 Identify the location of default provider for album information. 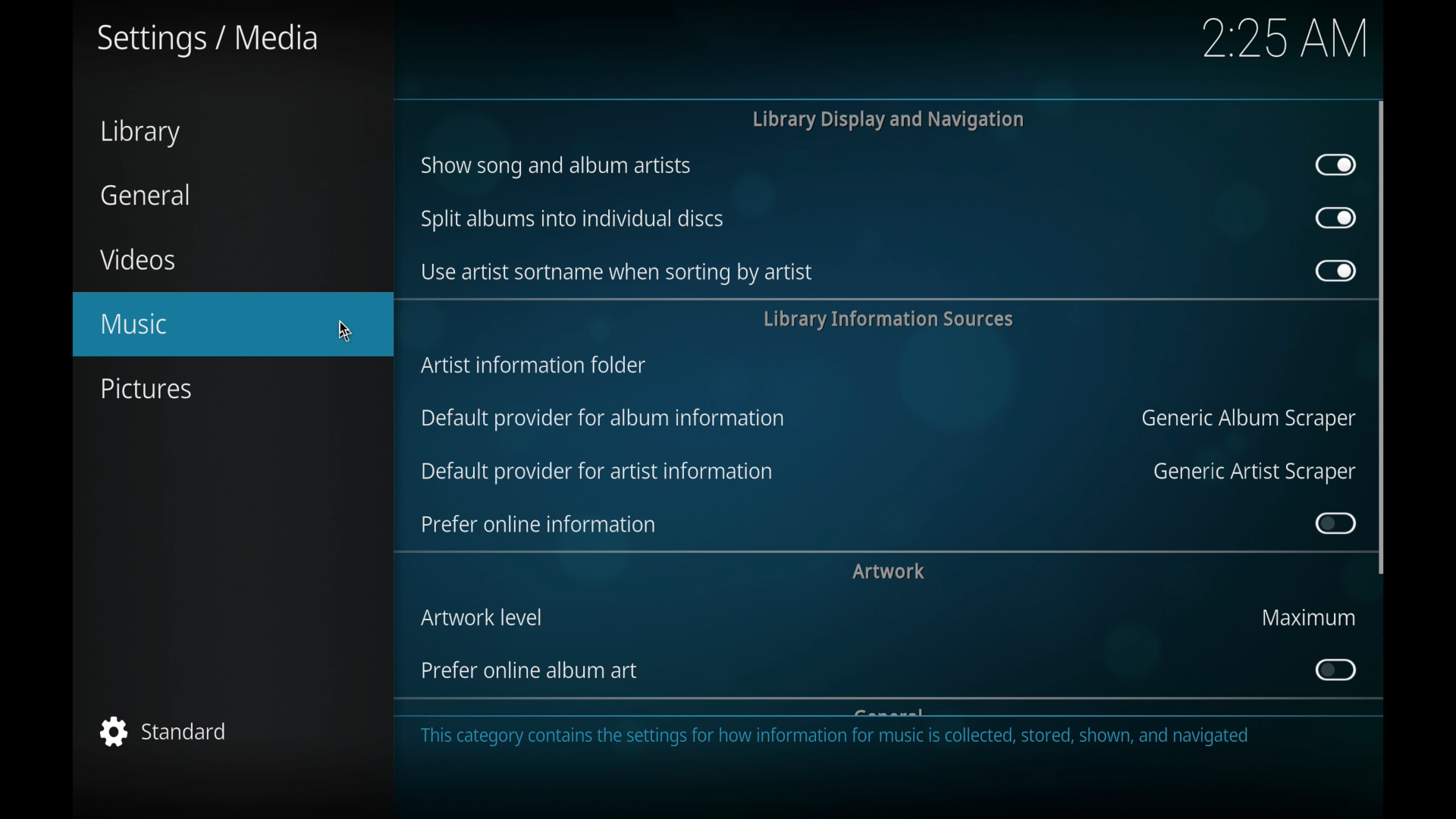
(605, 419).